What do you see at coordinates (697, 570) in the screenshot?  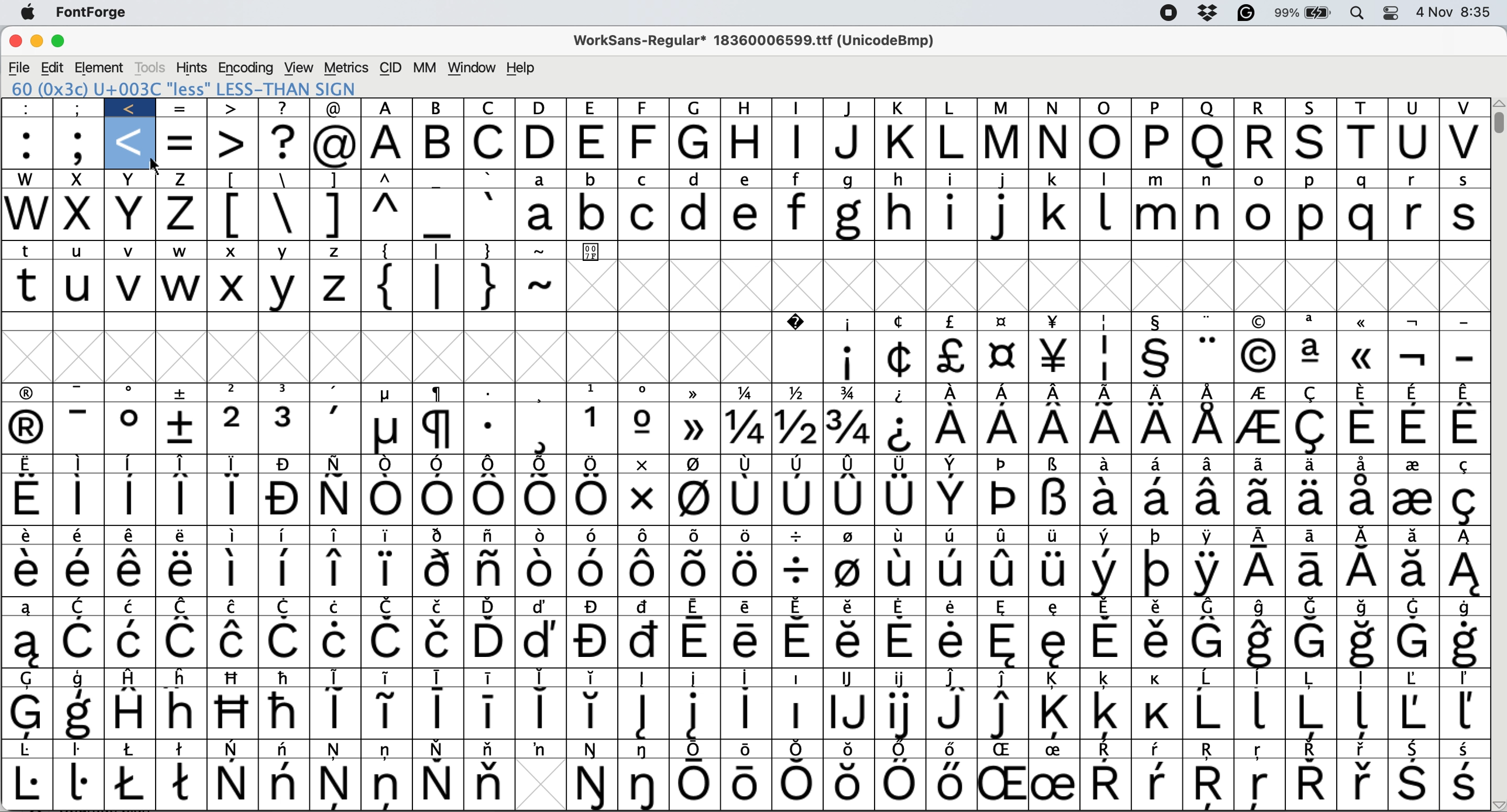 I see `Symbol` at bounding box center [697, 570].